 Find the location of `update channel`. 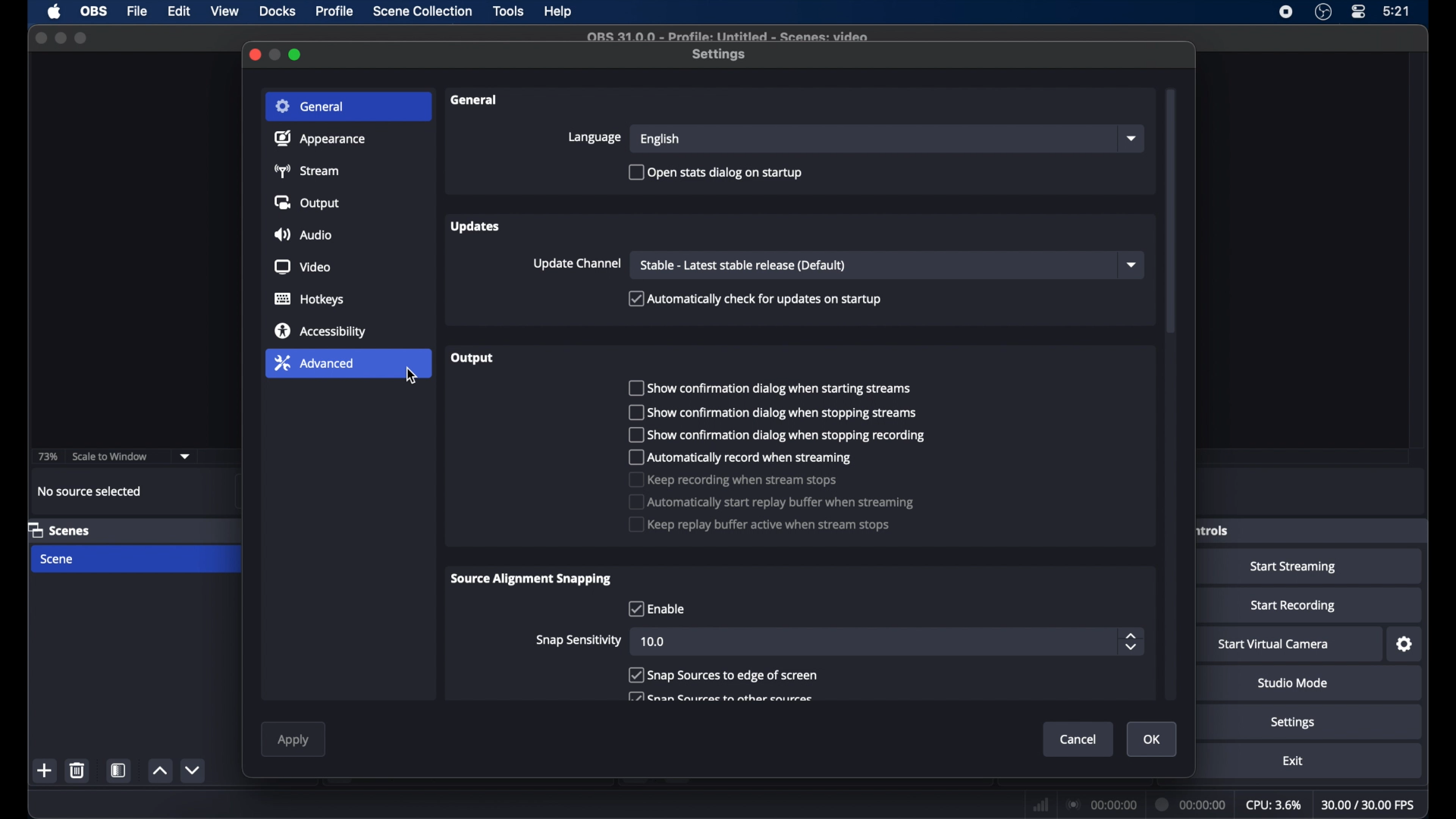

update channel is located at coordinates (578, 264).